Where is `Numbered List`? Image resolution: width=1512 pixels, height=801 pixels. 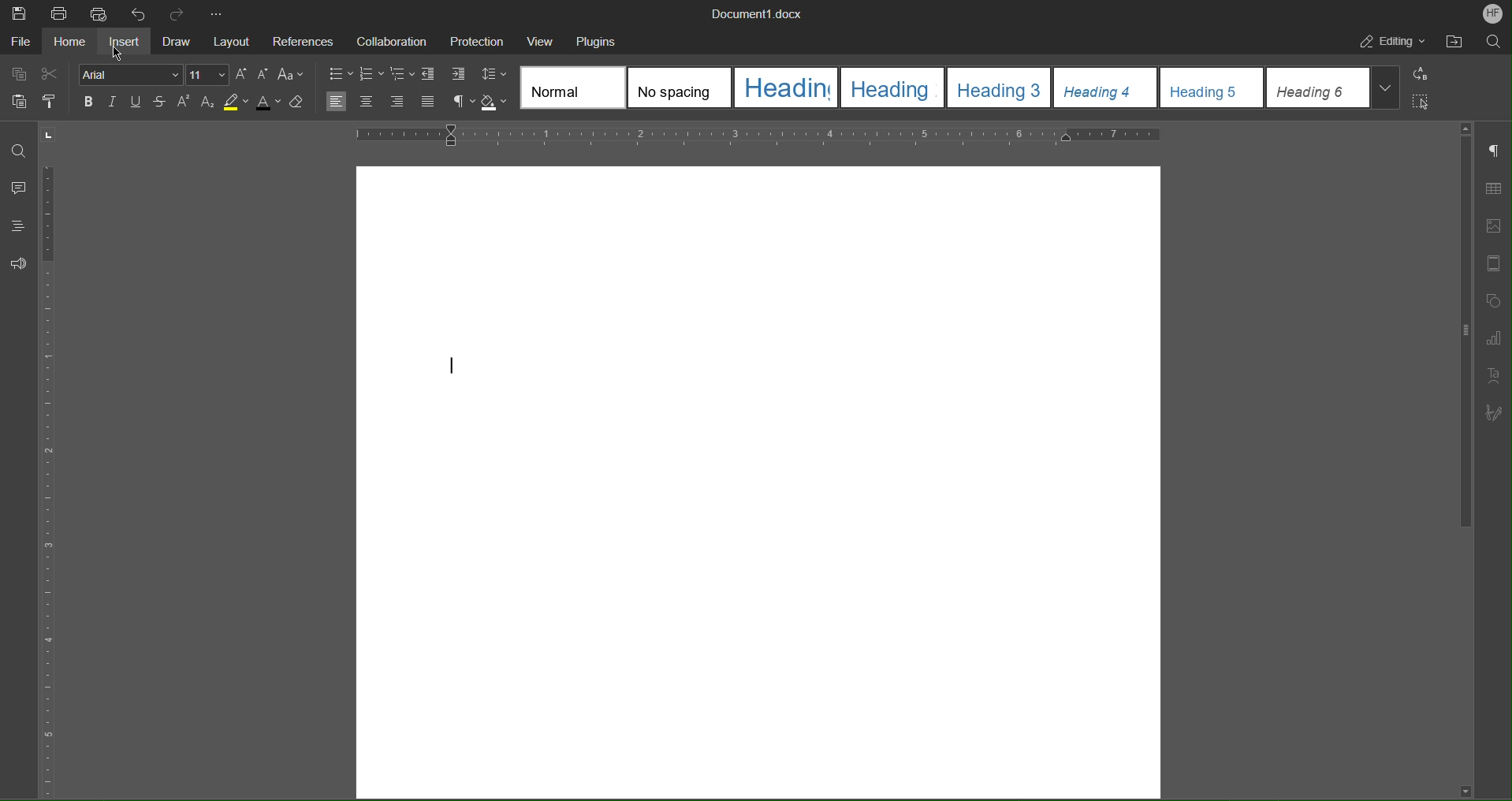 Numbered List is located at coordinates (371, 73).